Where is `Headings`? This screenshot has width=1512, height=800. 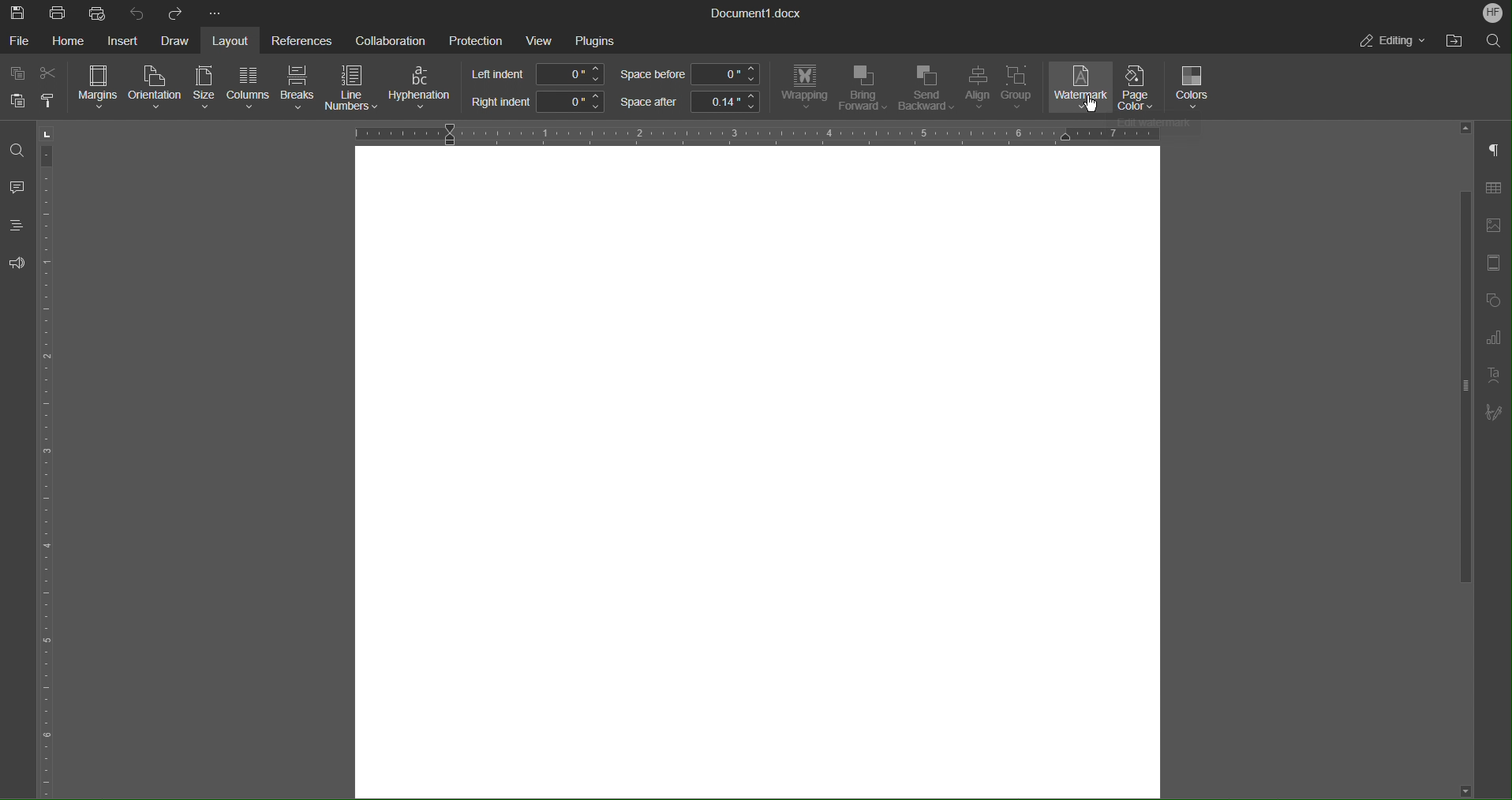 Headings is located at coordinates (16, 225).